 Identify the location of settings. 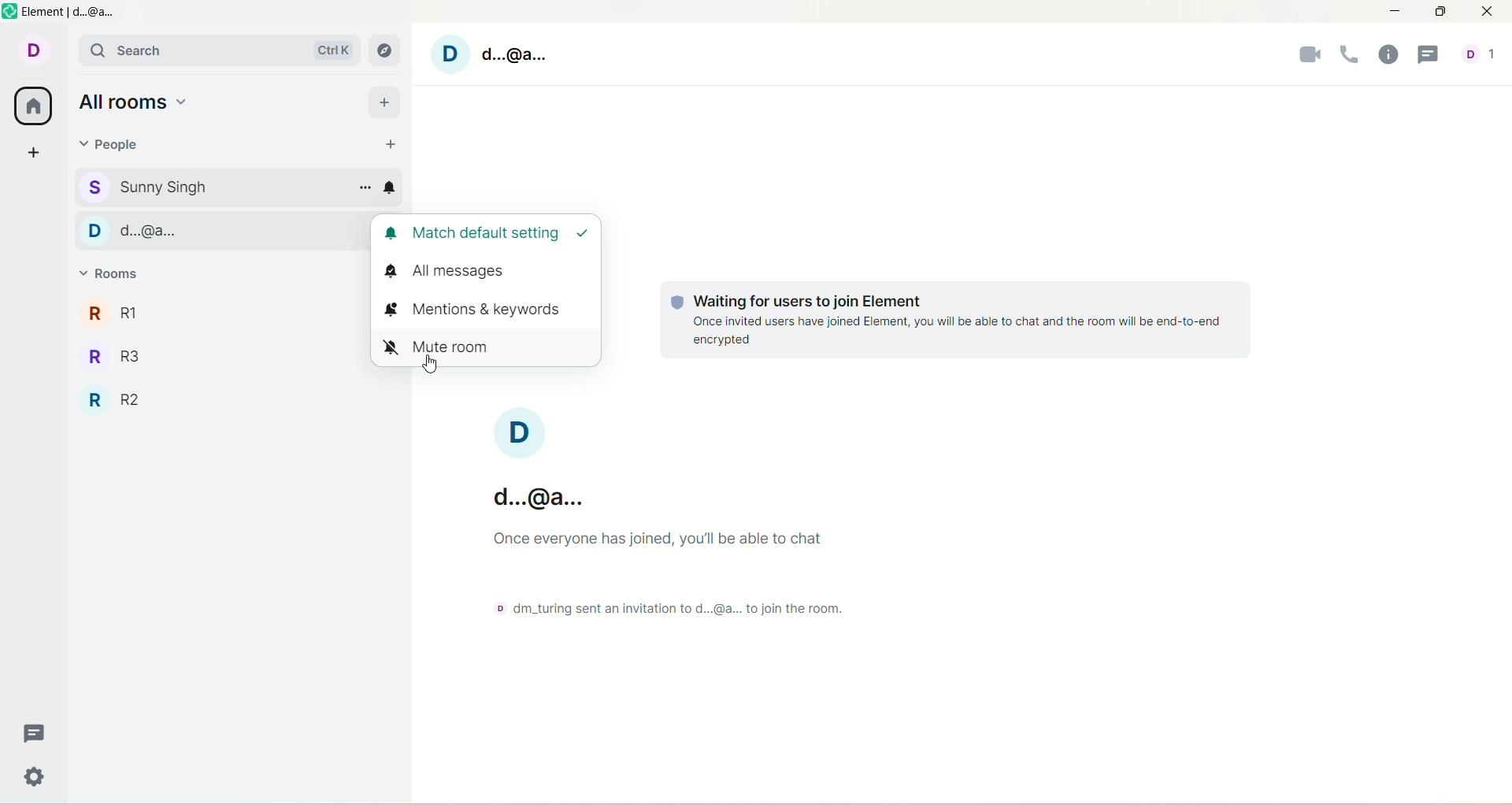
(36, 775).